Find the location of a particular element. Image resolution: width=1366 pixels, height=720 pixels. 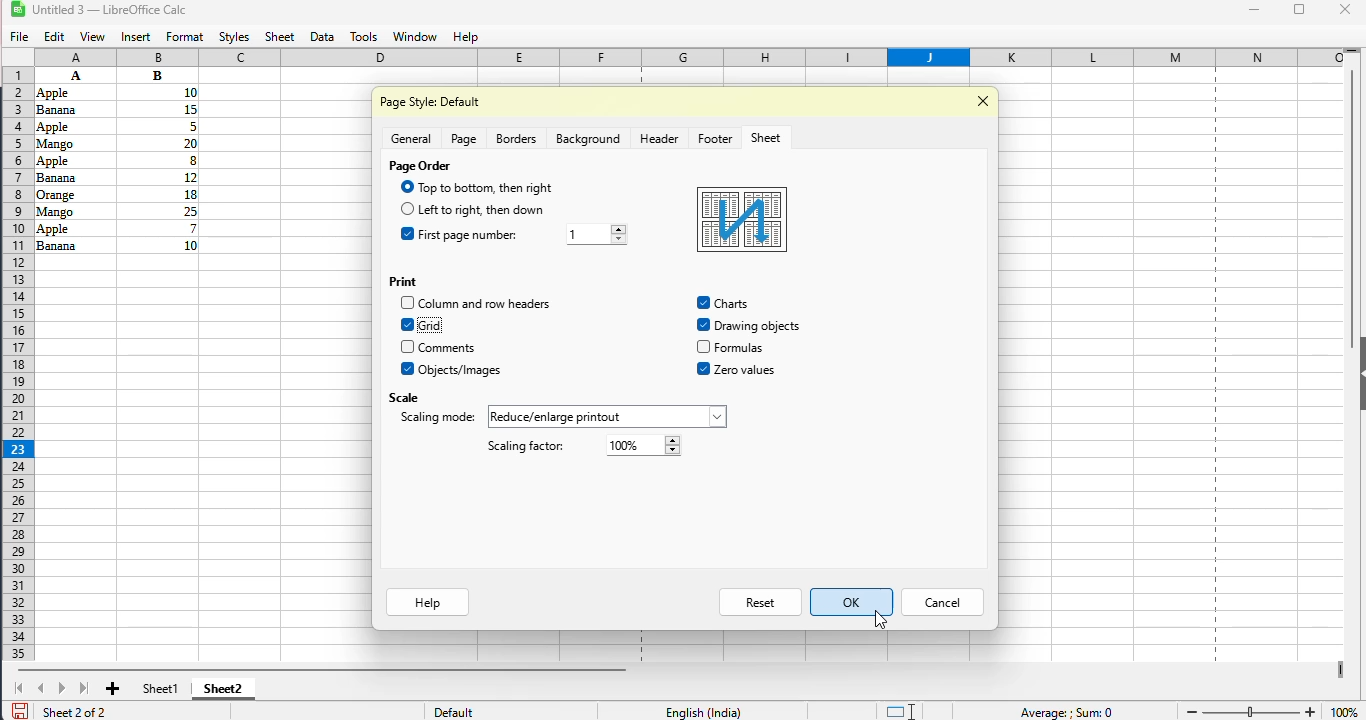

page style default is located at coordinates (432, 102).